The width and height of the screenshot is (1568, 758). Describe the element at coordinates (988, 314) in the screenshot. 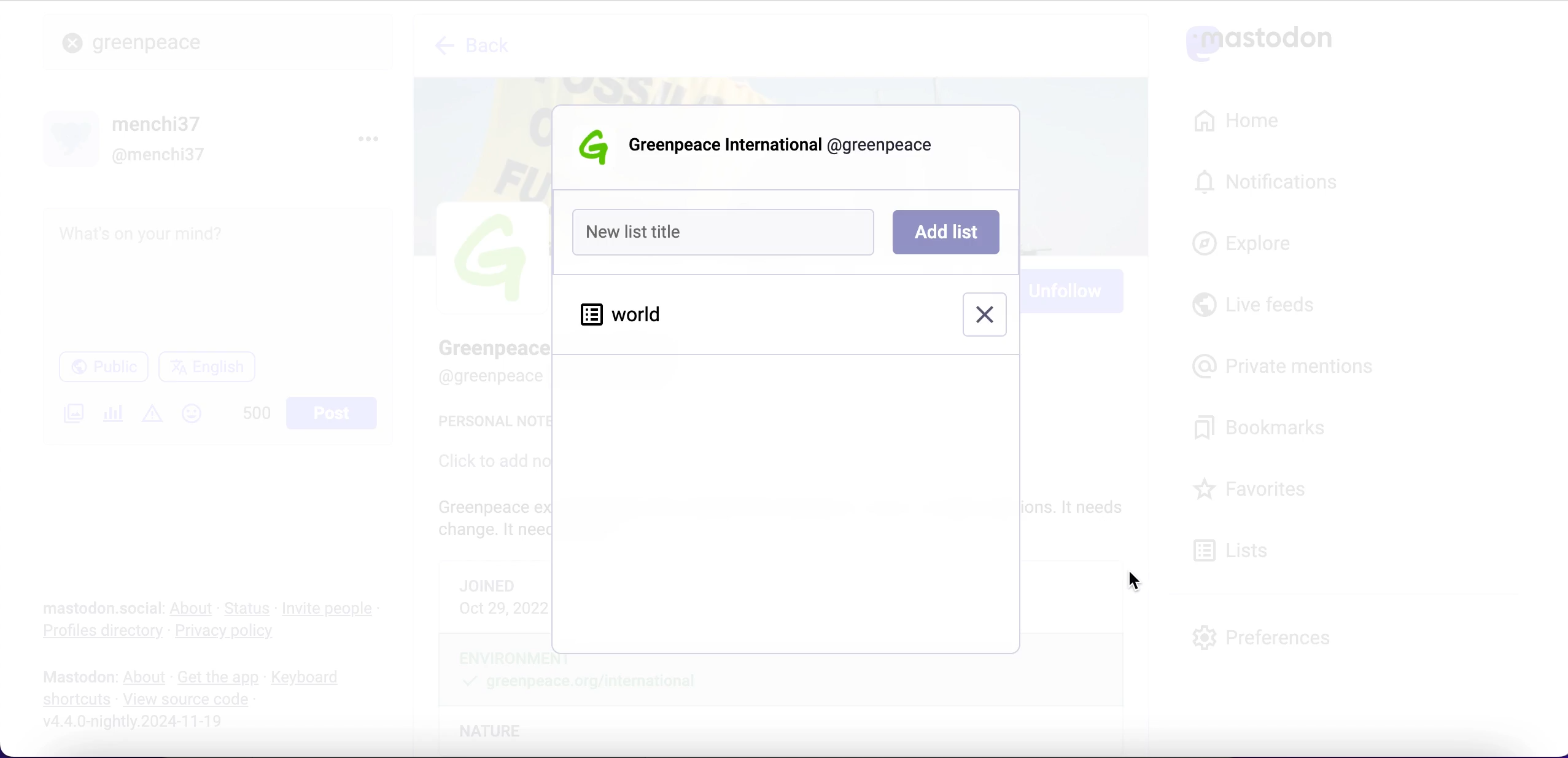

I see `remove` at that location.